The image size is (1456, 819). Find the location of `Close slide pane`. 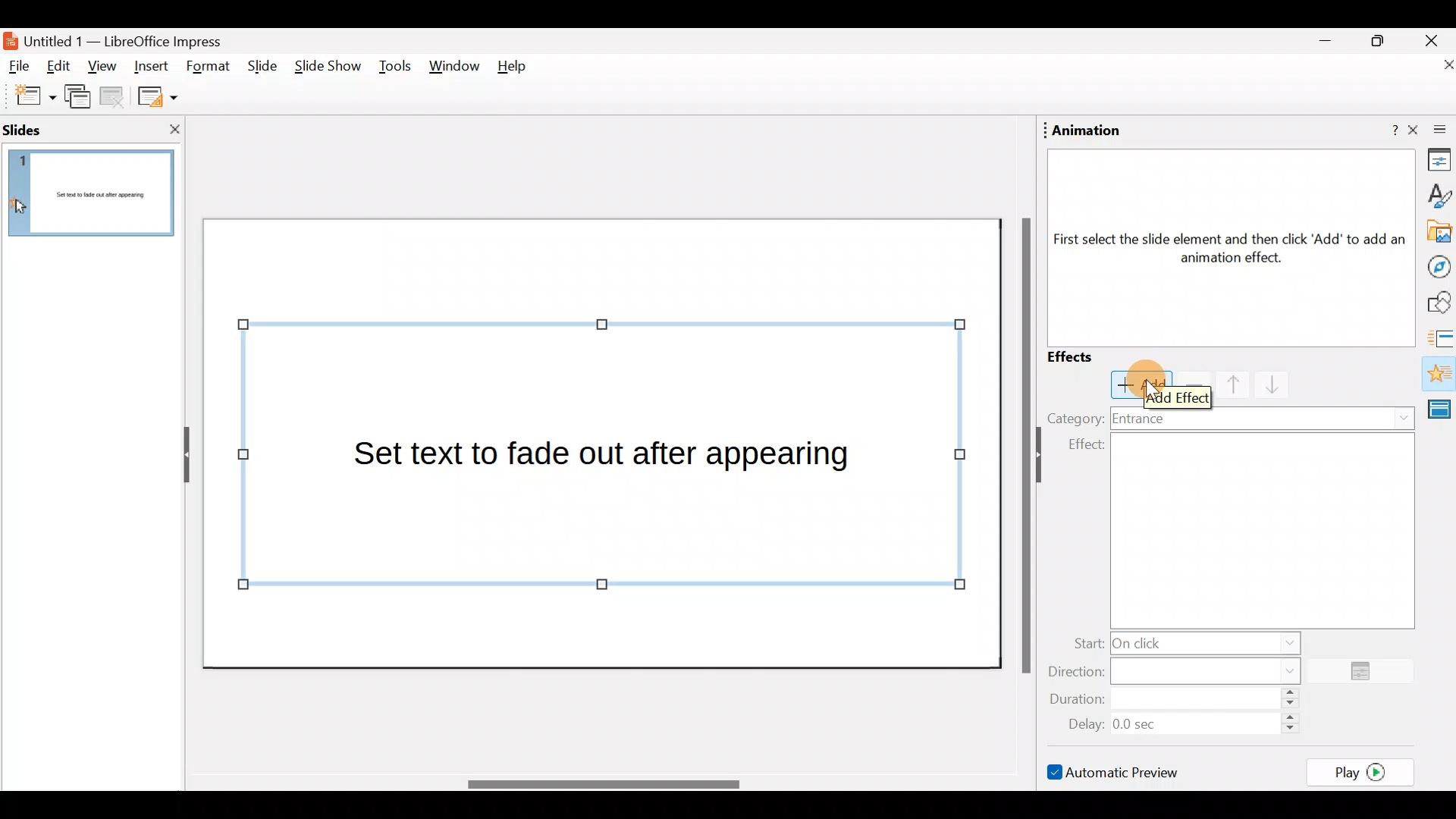

Close slide pane is located at coordinates (170, 129).